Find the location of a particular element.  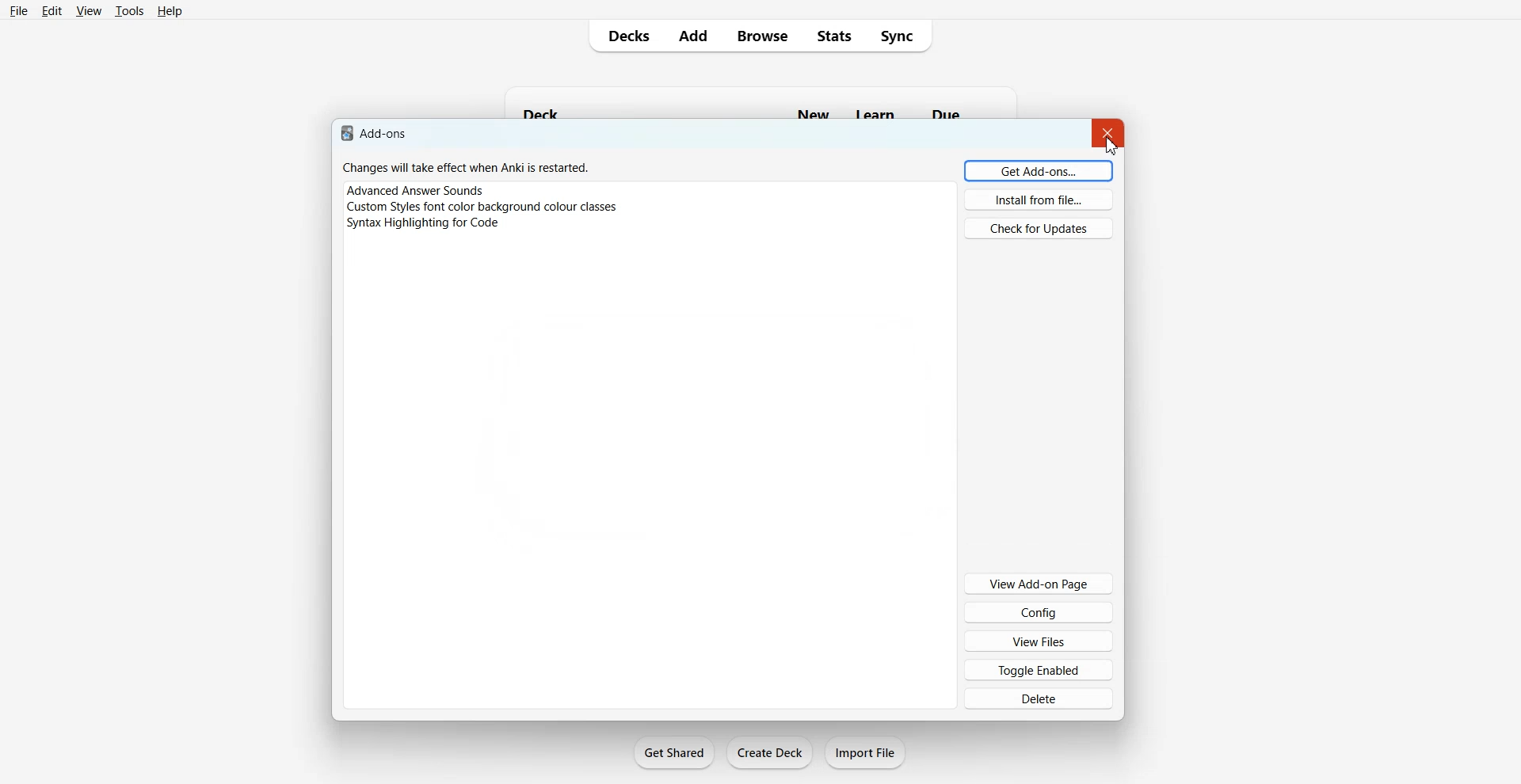

Decks is located at coordinates (622, 36).